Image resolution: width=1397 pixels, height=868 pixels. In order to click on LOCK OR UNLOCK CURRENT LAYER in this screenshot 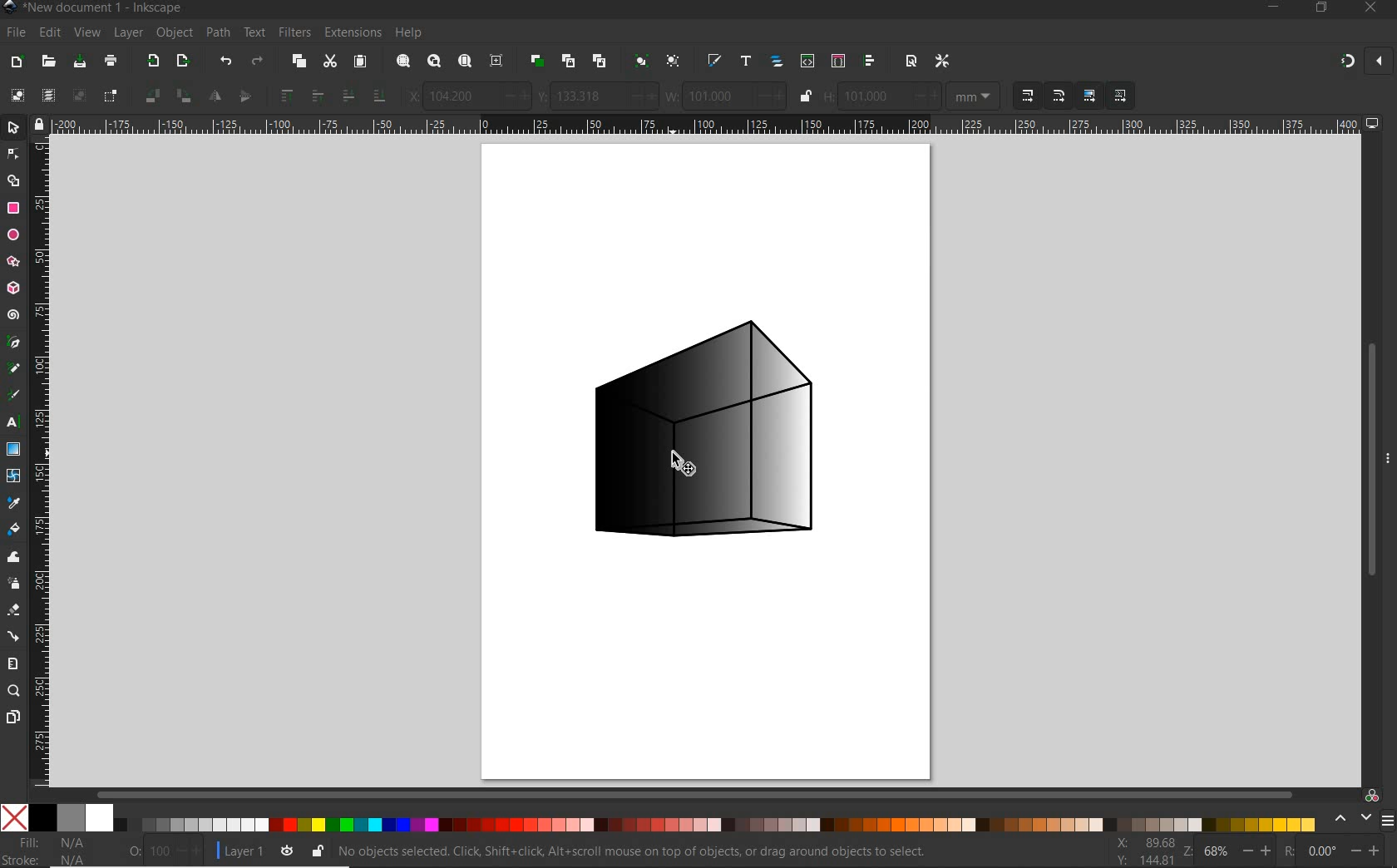, I will do `click(317, 851)`.